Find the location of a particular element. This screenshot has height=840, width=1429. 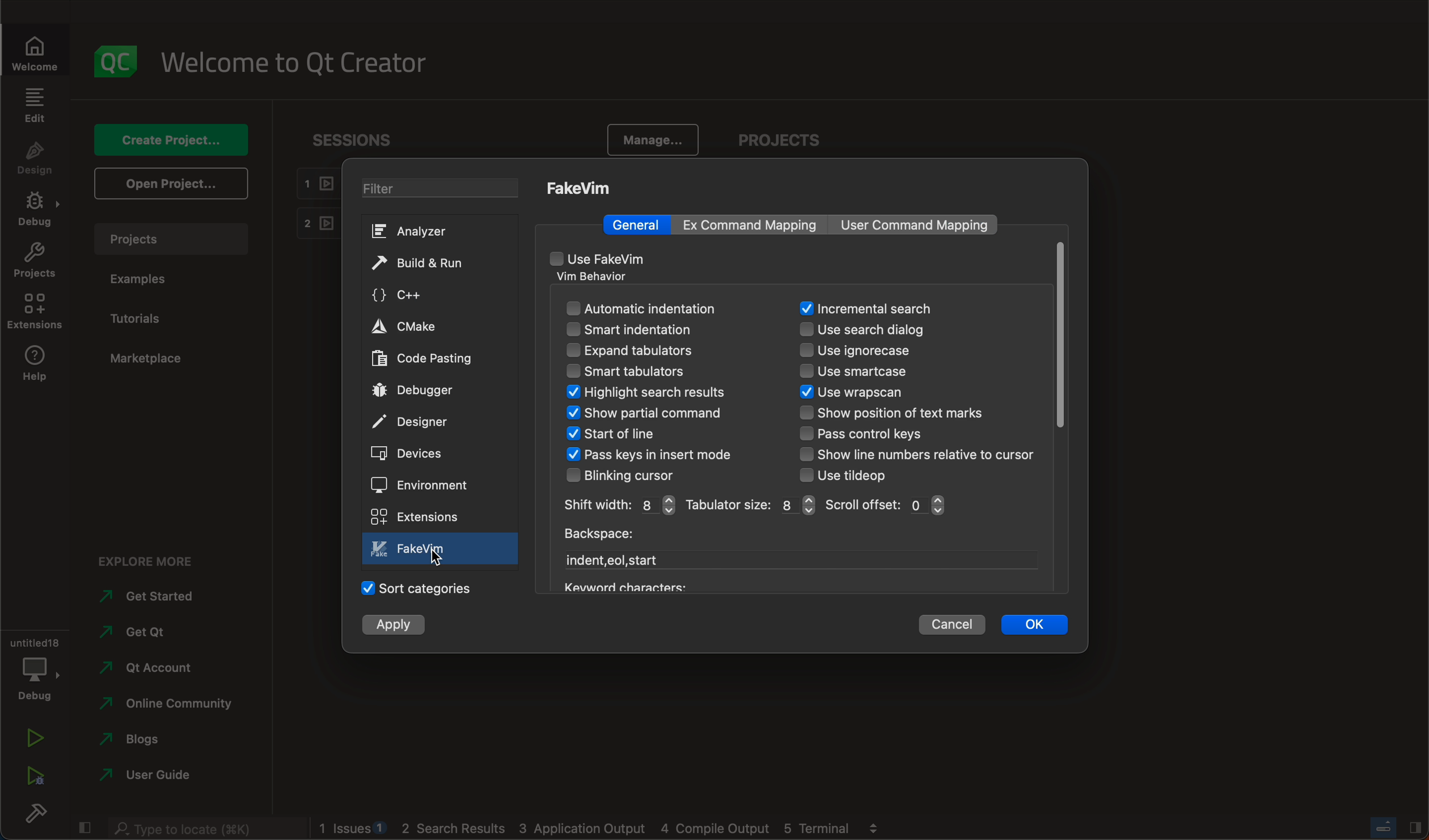

expand is located at coordinates (654, 352).